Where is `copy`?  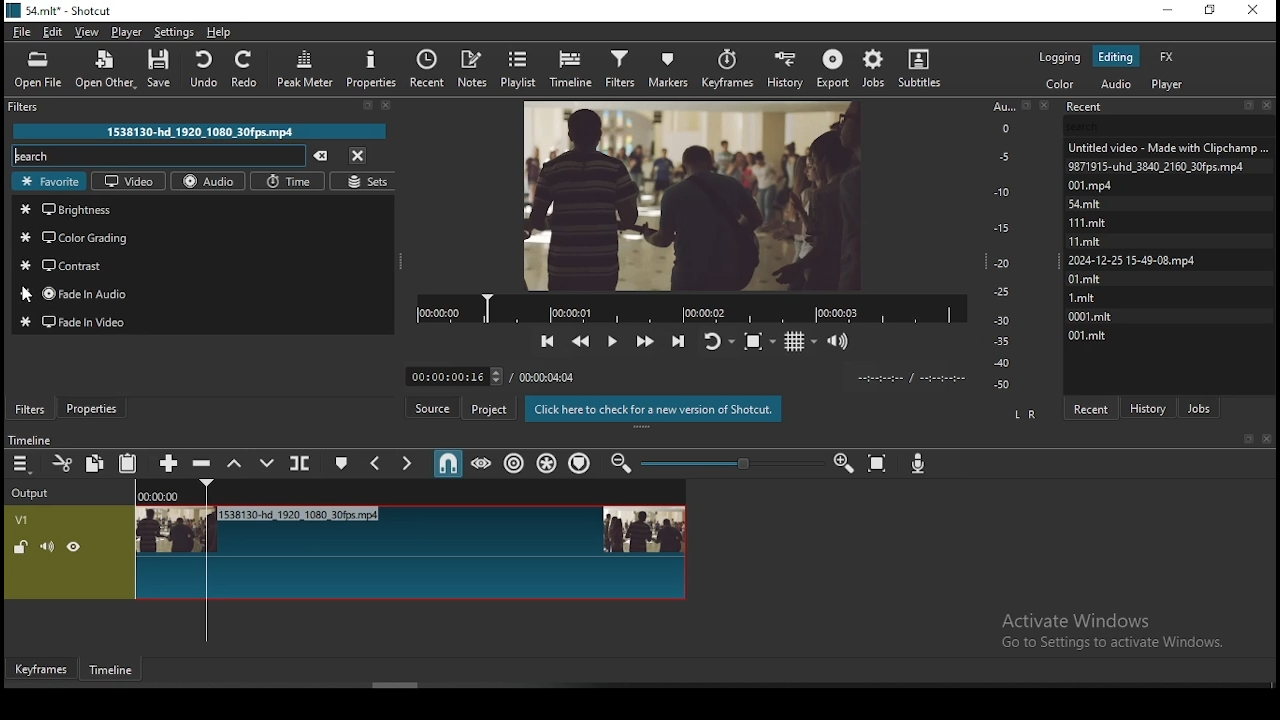
copy is located at coordinates (97, 464).